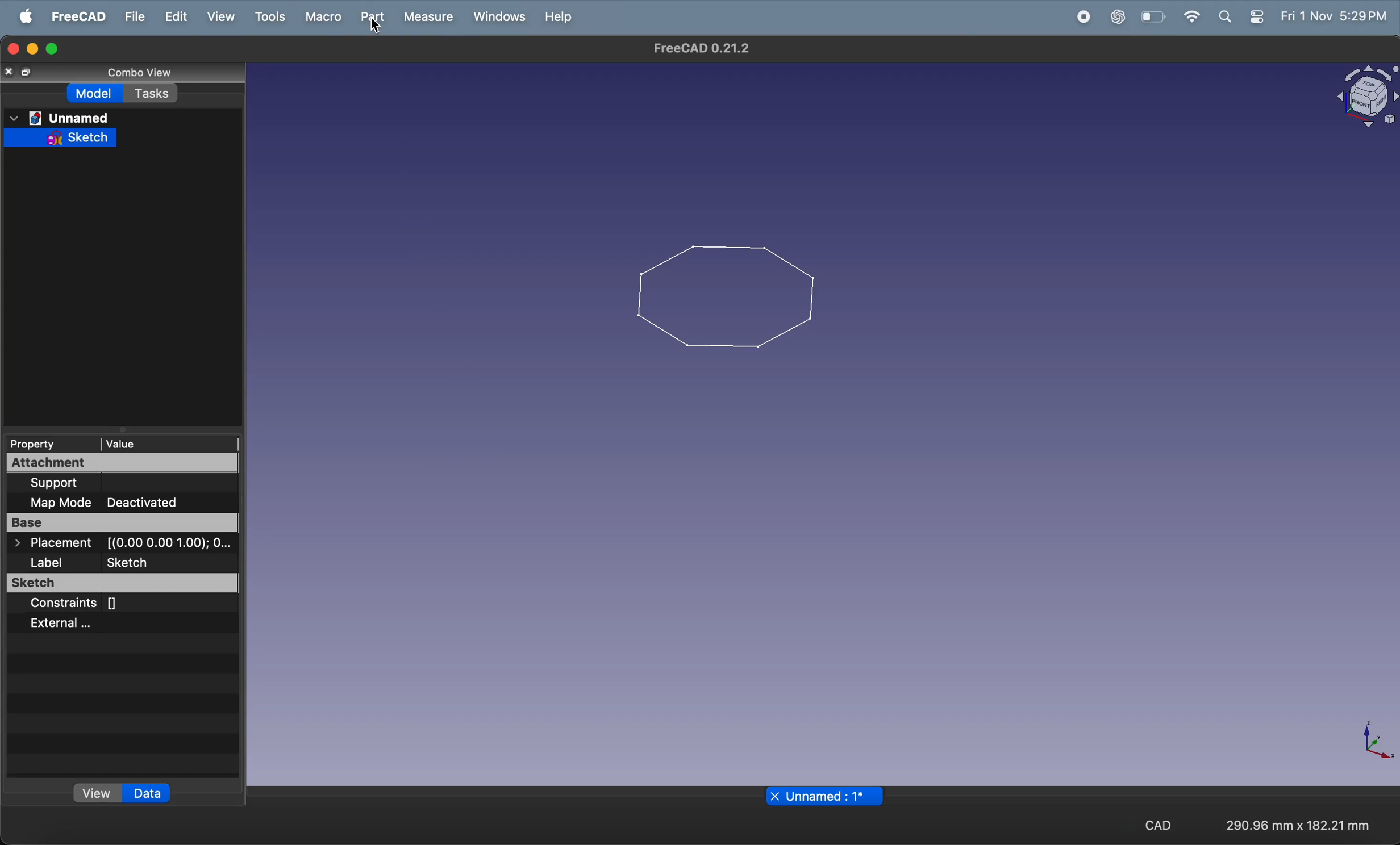  What do you see at coordinates (1156, 824) in the screenshot?
I see `cad` at bounding box center [1156, 824].